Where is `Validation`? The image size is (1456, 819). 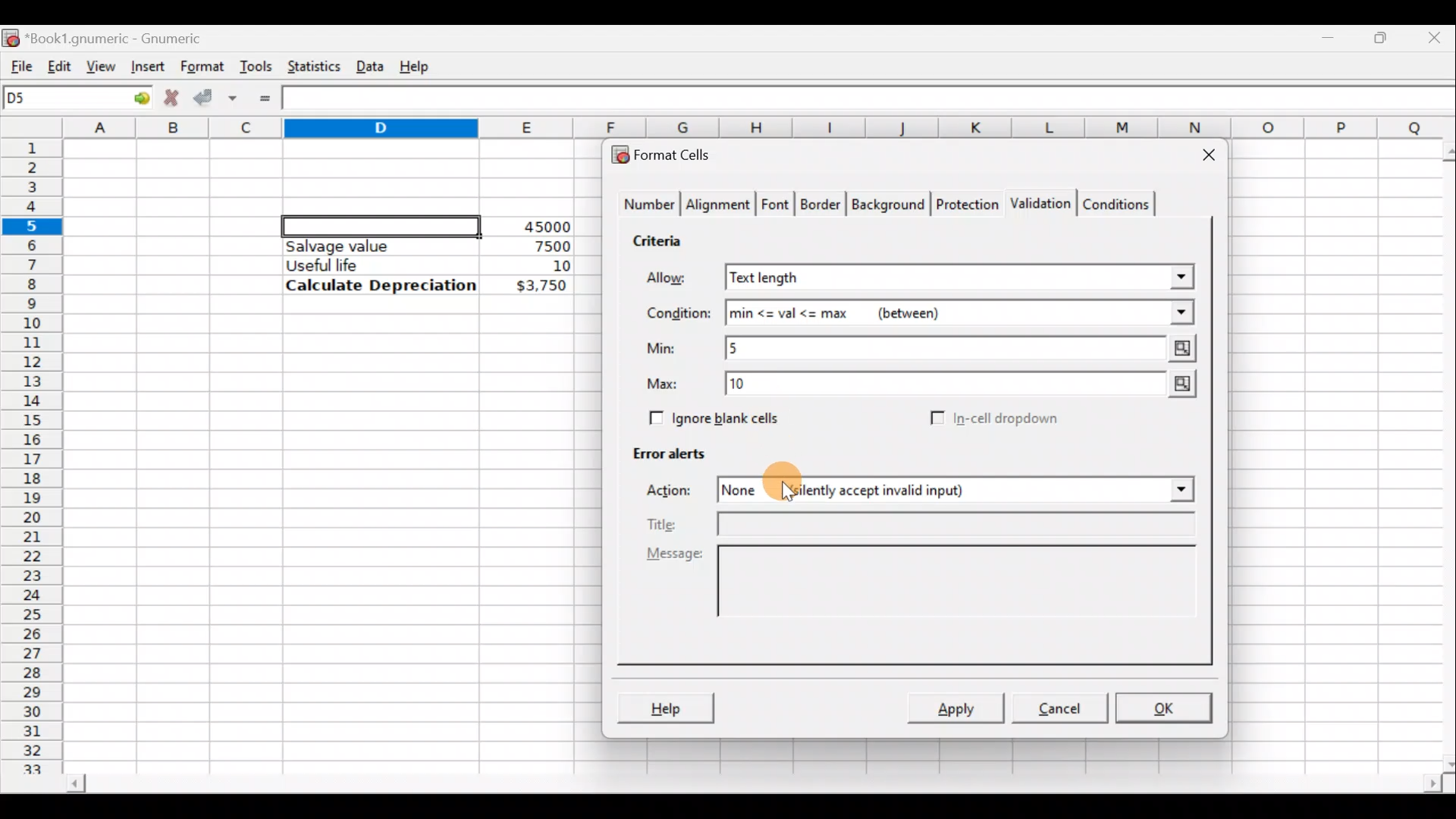
Validation is located at coordinates (1037, 205).